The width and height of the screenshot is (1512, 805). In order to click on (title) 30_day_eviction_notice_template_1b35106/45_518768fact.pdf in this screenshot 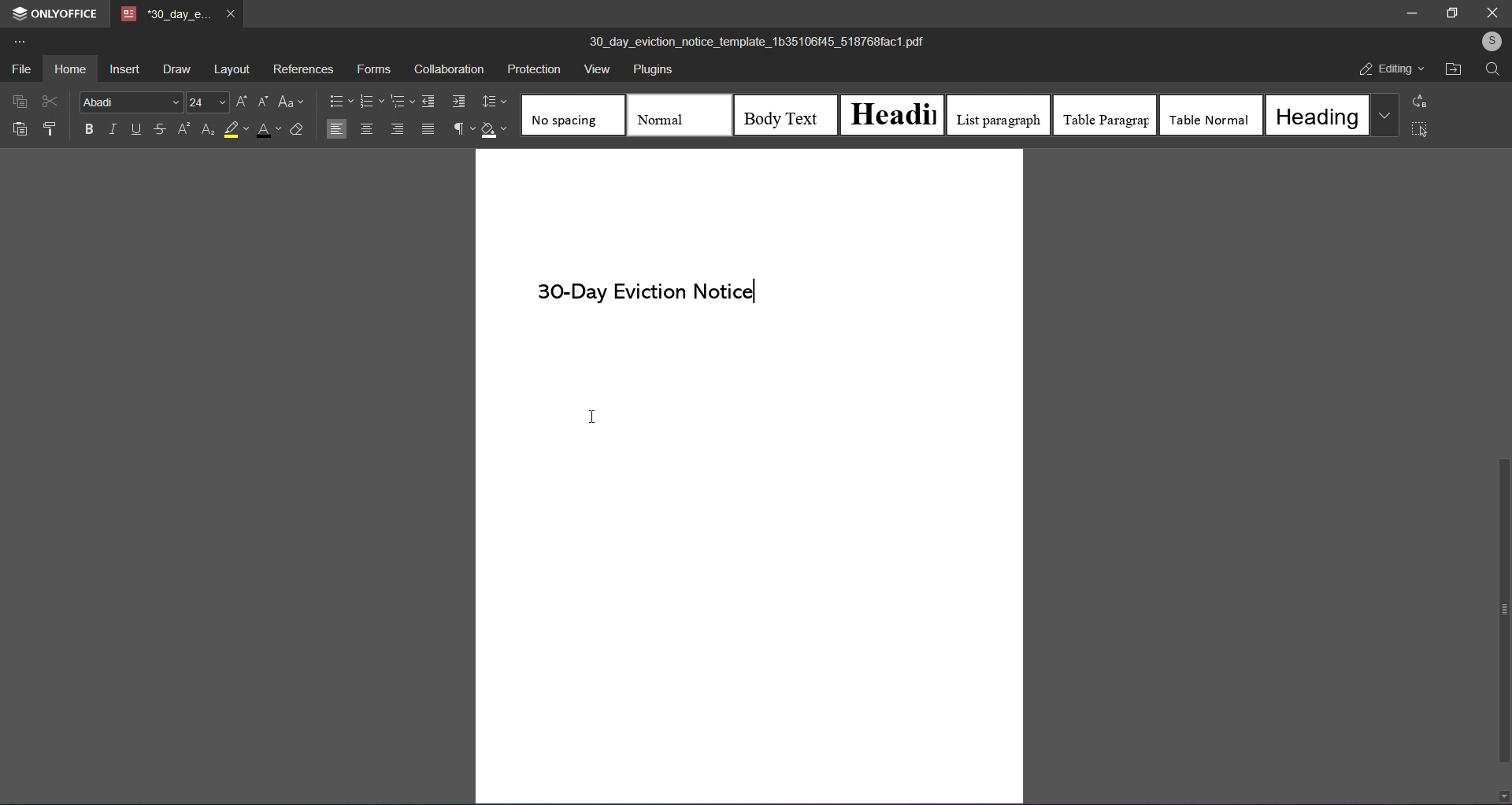, I will do `click(765, 42)`.